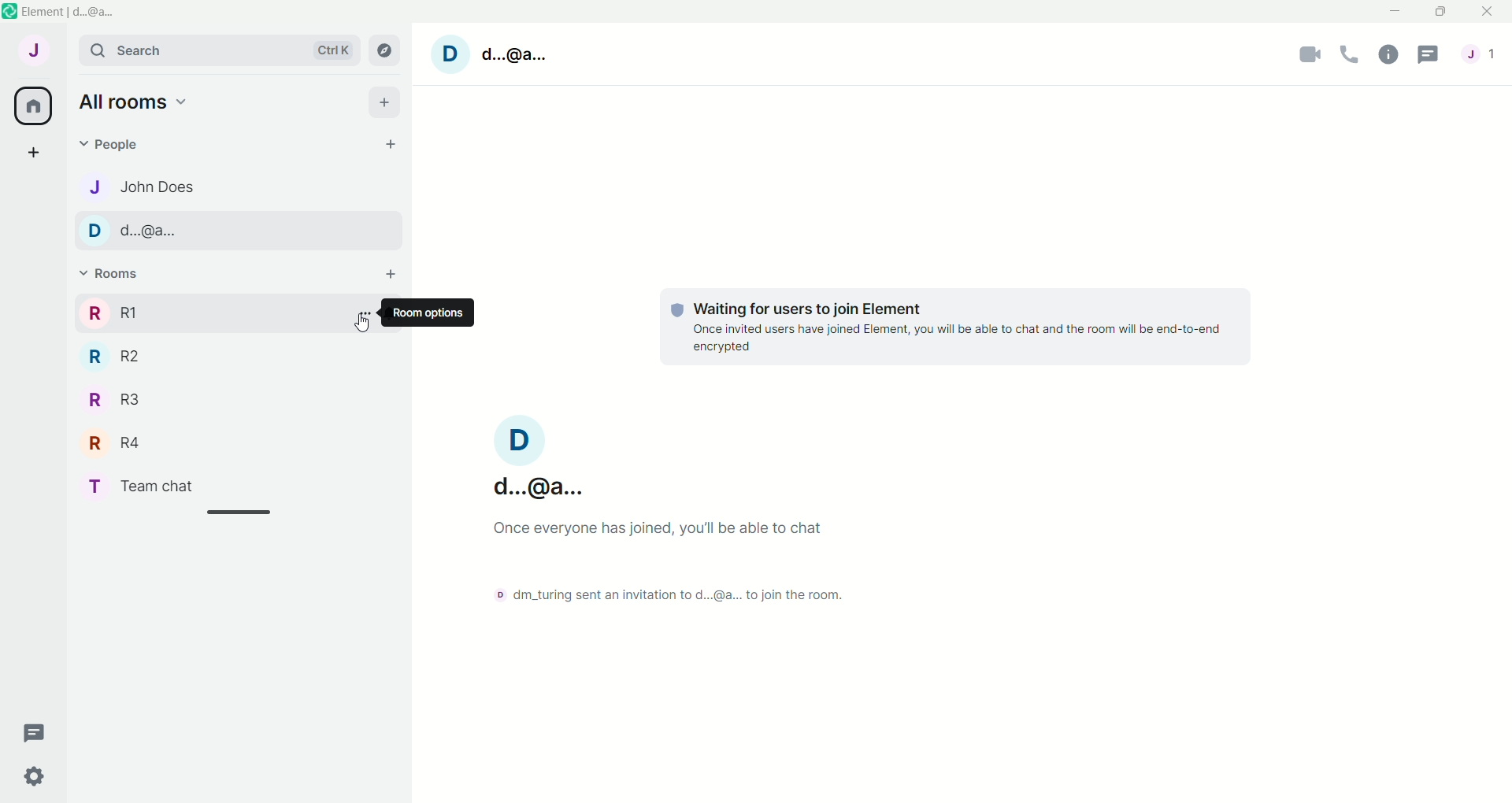  What do you see at coordinates (35, 107) in the screenshot?
I see `all rooms` at bounding box center [35, 107].